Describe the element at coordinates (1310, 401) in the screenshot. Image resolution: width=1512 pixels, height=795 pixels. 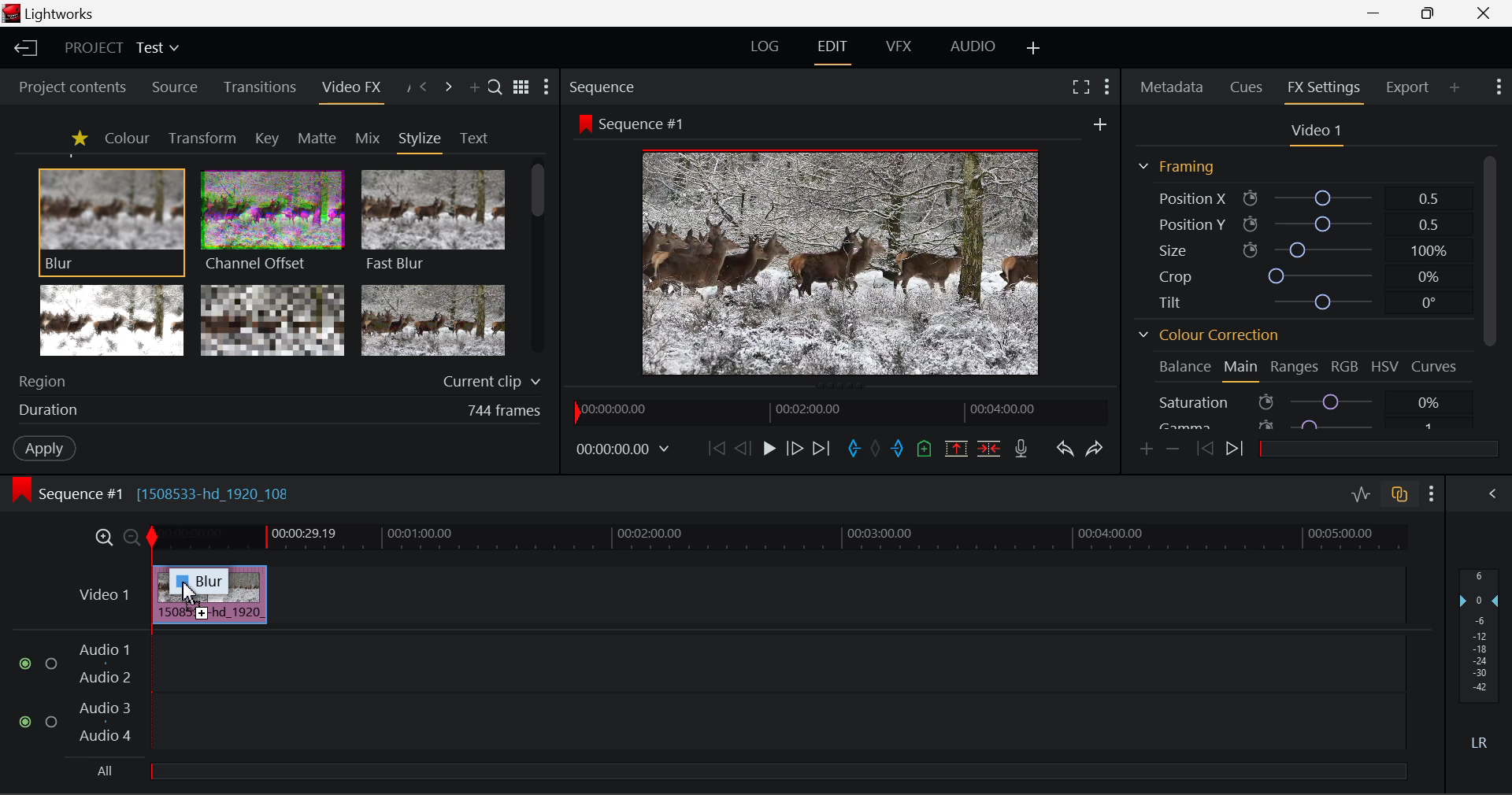
I see `Saturation` at that location.